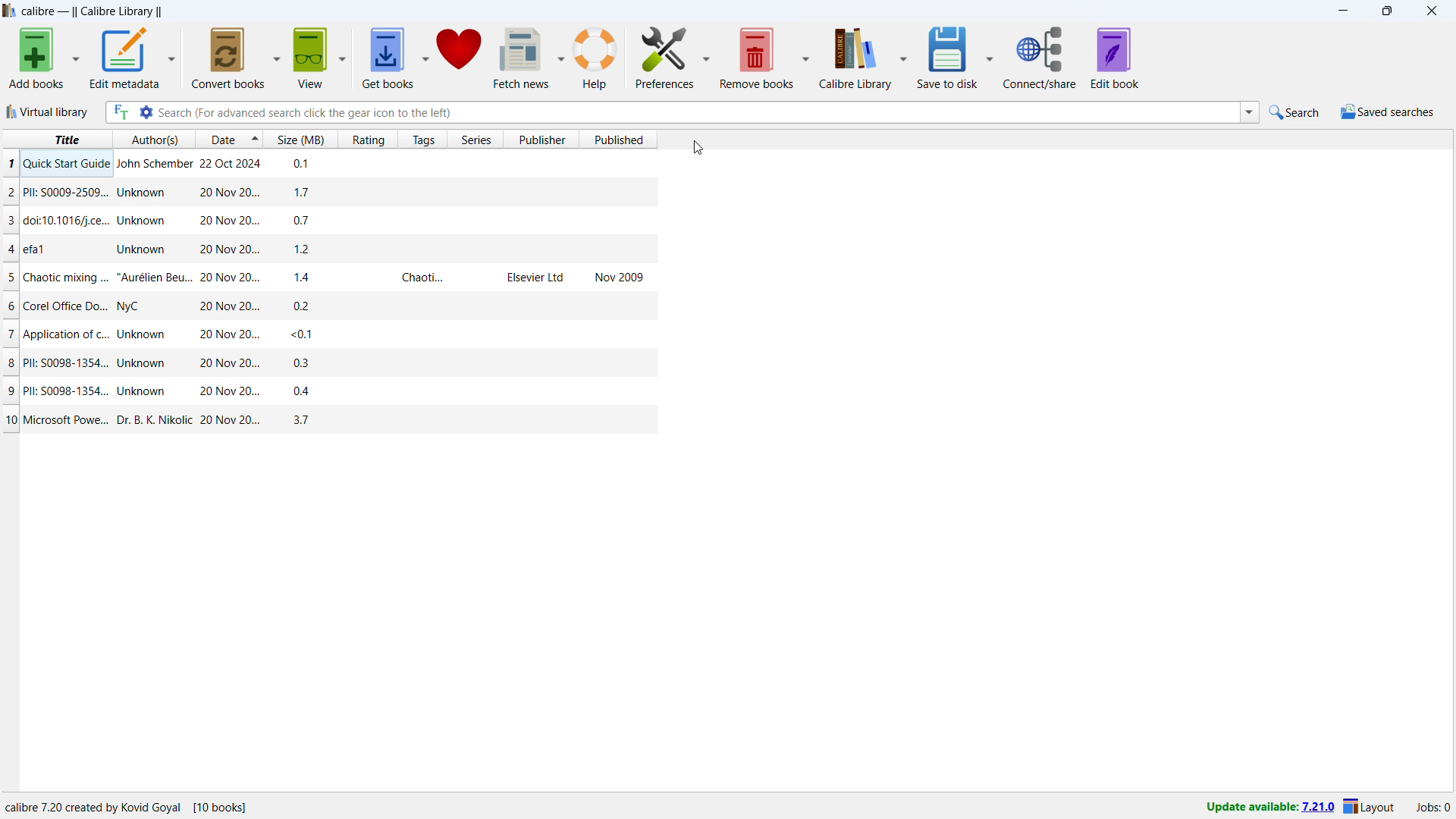  What do you see at coordinates (561, 57) in the screenshot?
I see `fetch news options` at bounding box center [561, 57].